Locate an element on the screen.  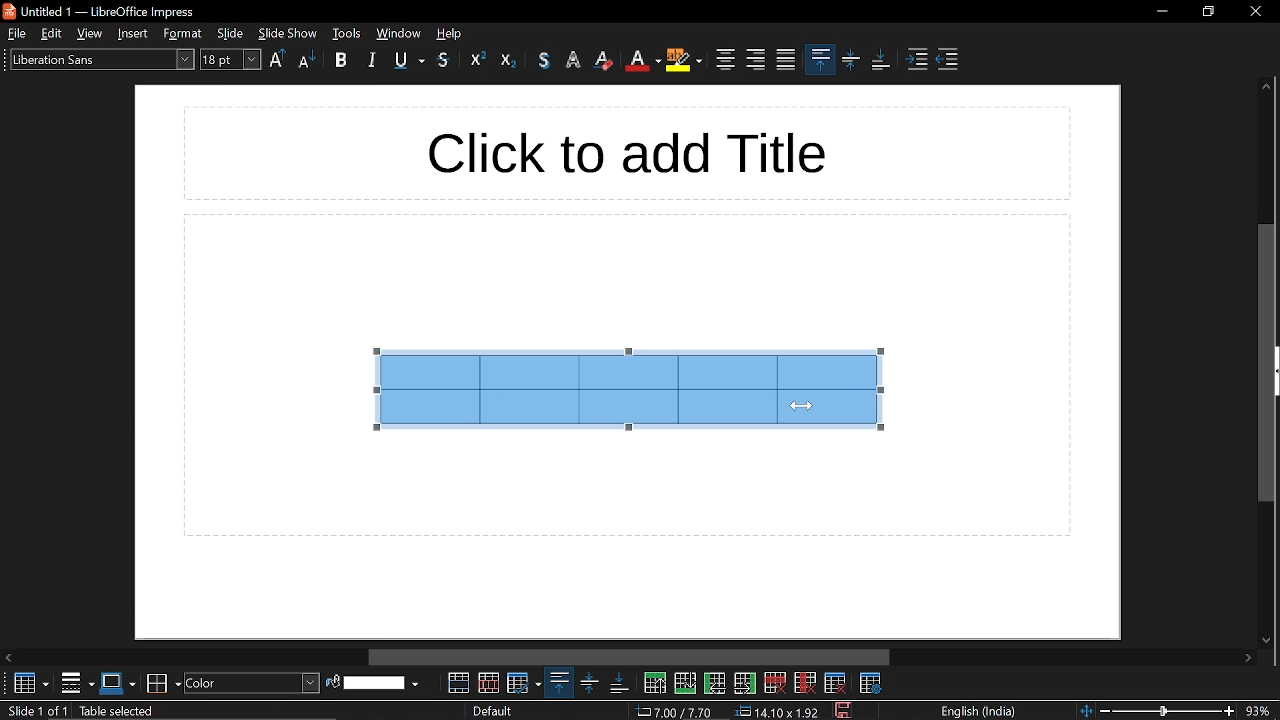
vertical scrollbar is located at coordinates (1263, 363).